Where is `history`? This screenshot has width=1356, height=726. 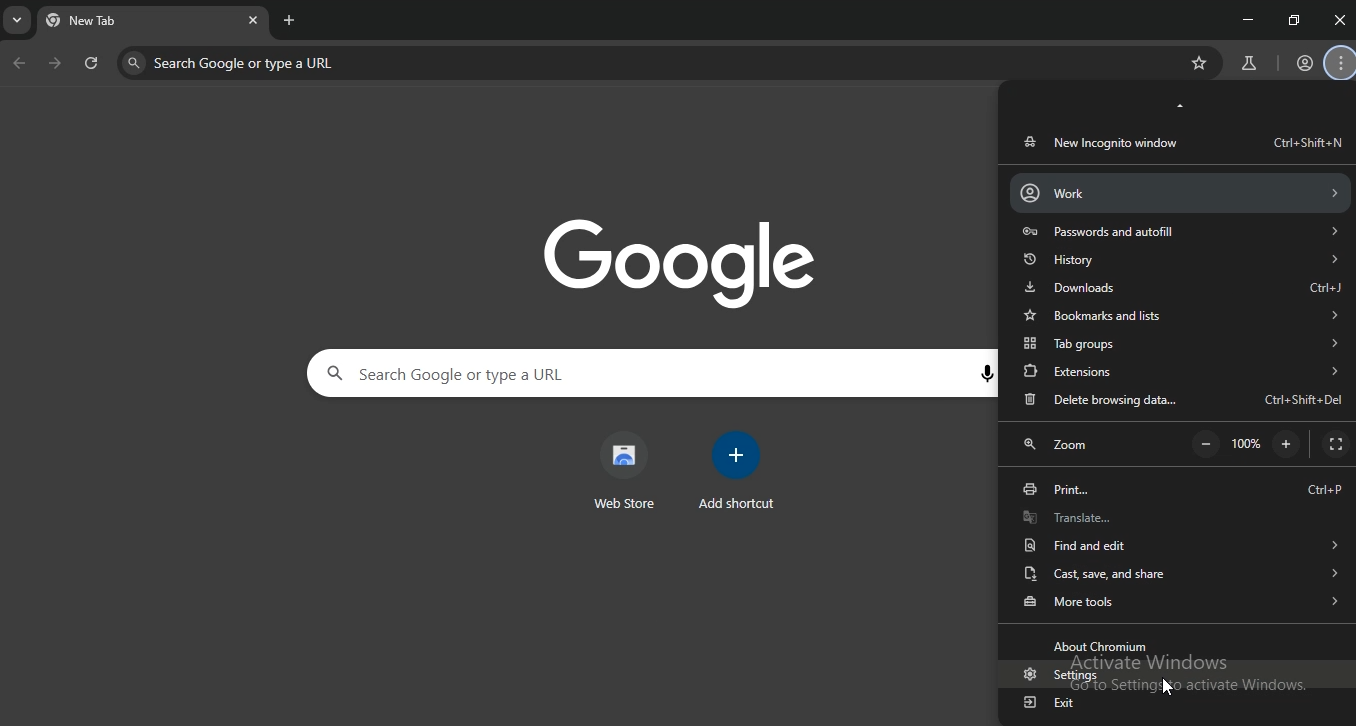 history is located at coordinates (1179, 258).